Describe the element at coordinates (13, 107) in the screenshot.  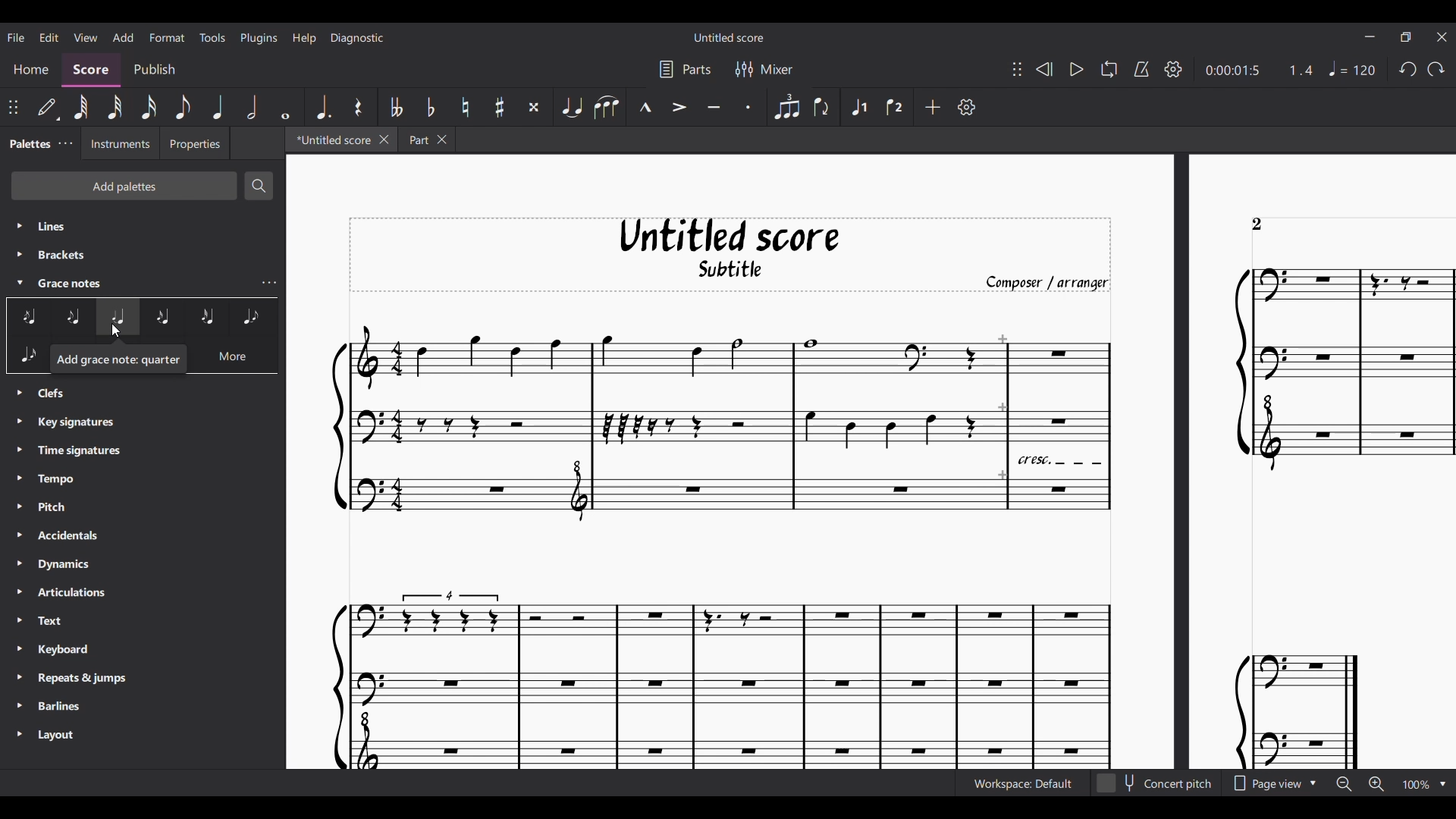
I see `Change position of toolbar atatched` at that location.